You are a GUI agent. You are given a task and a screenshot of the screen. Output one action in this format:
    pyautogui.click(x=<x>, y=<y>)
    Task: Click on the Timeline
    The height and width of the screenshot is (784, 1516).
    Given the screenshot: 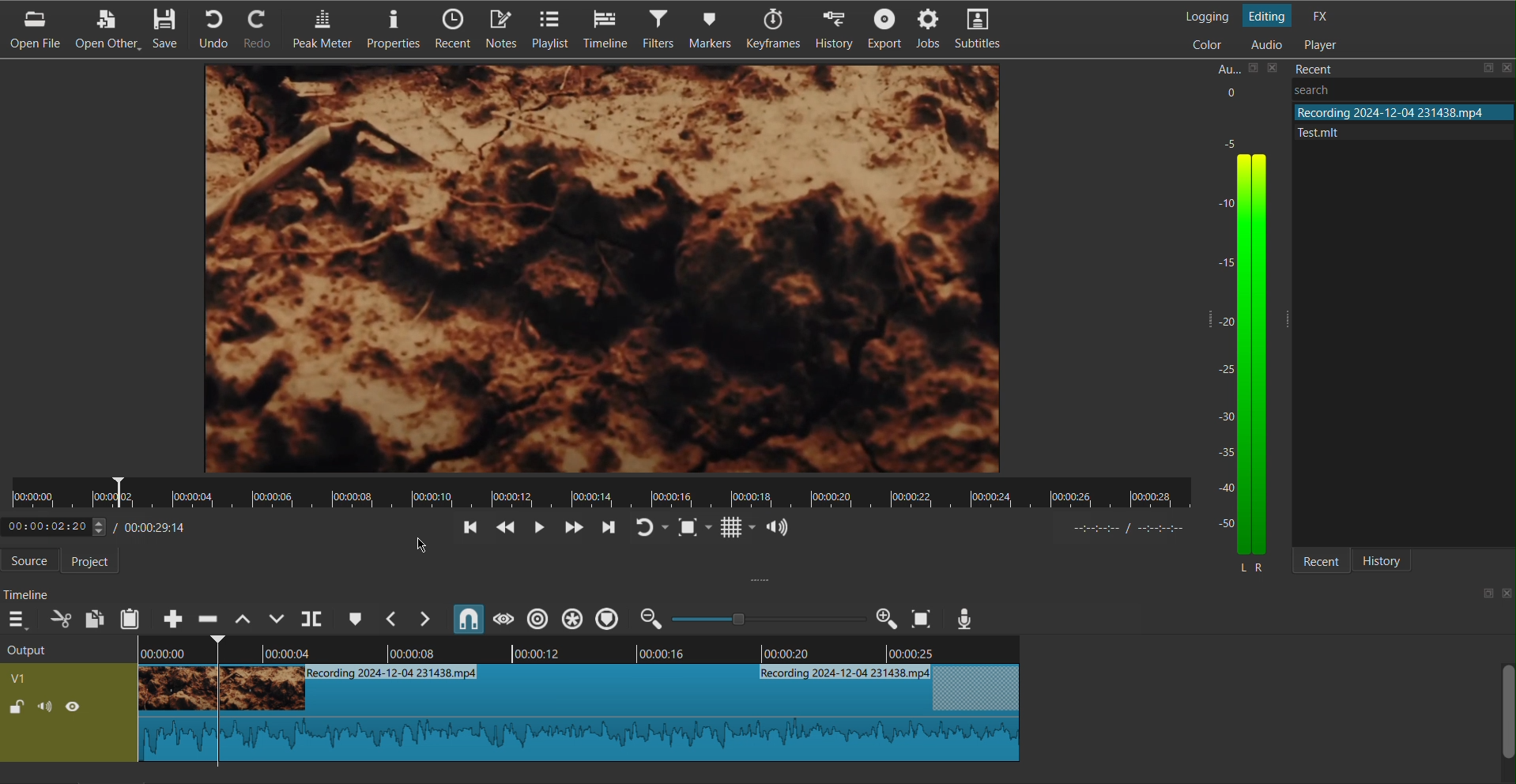 What is the action you would take?
    pyautogui.click(x=601, y=493)
    